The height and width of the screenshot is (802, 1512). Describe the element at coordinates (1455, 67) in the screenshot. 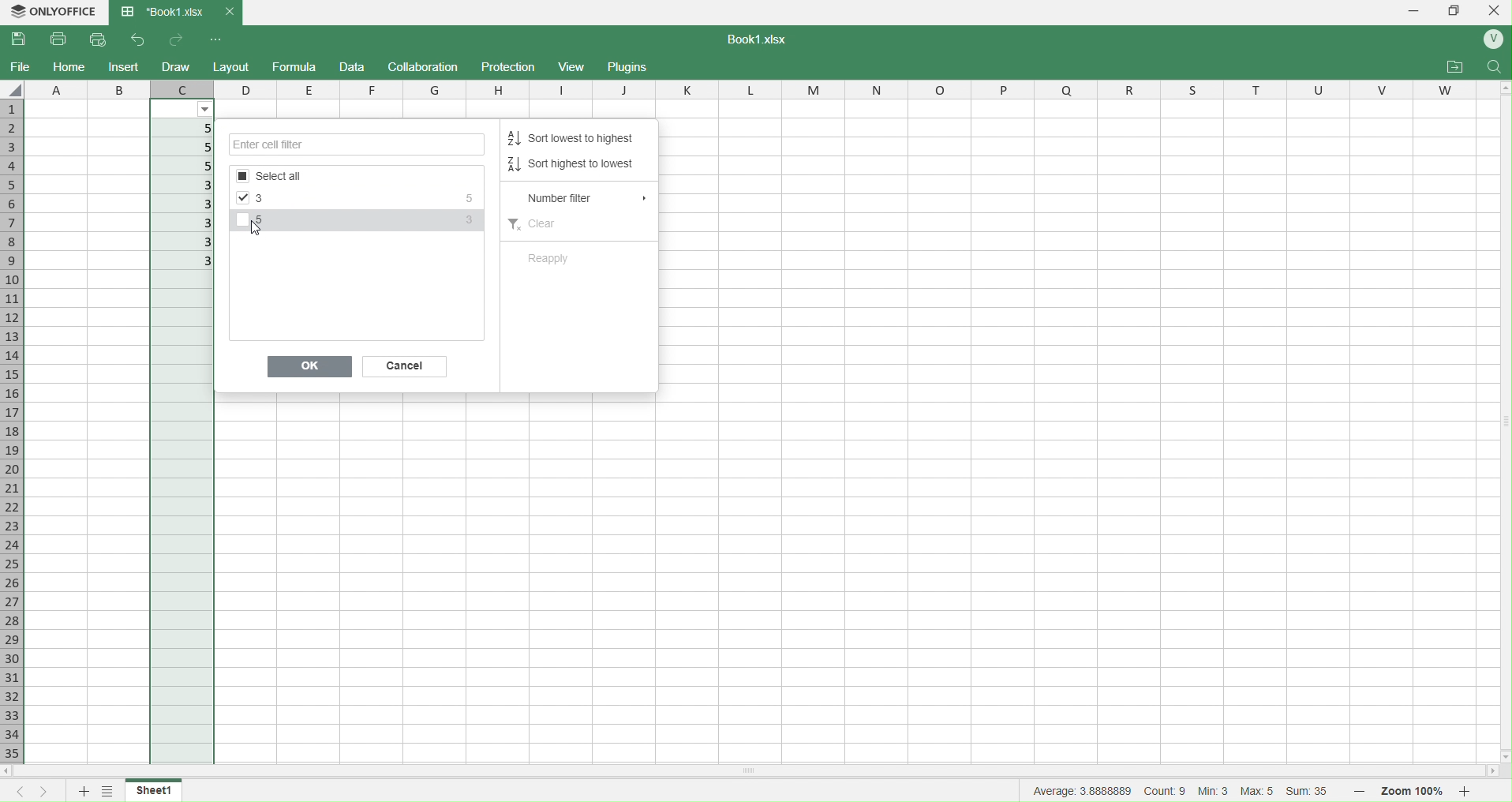

I see `Open File location` at that location.